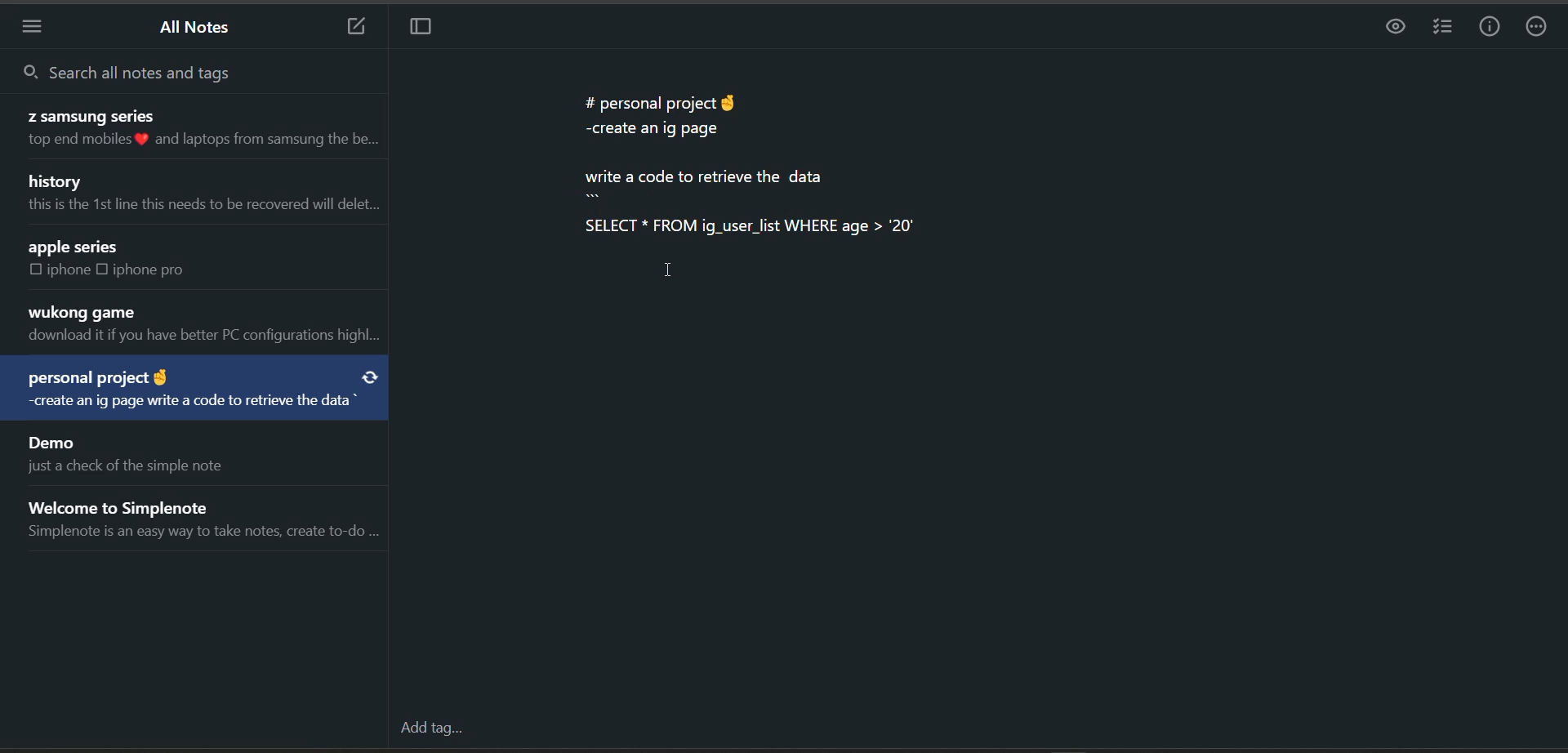 The height and width of the screenshot is (753, 1568). I want to click on preview, so click(1391, 29).